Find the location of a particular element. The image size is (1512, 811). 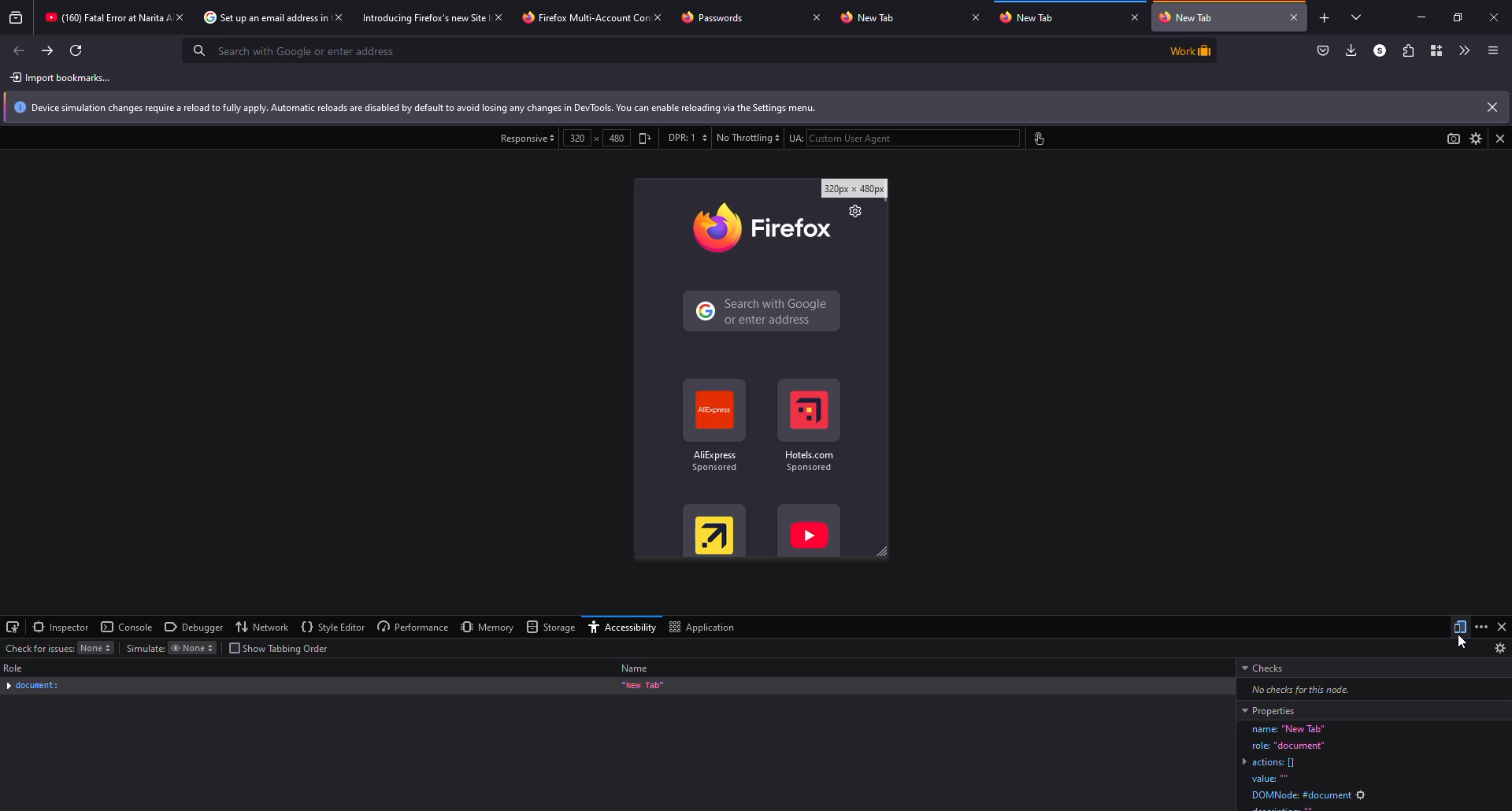

close is located at coordinates (661, 16).